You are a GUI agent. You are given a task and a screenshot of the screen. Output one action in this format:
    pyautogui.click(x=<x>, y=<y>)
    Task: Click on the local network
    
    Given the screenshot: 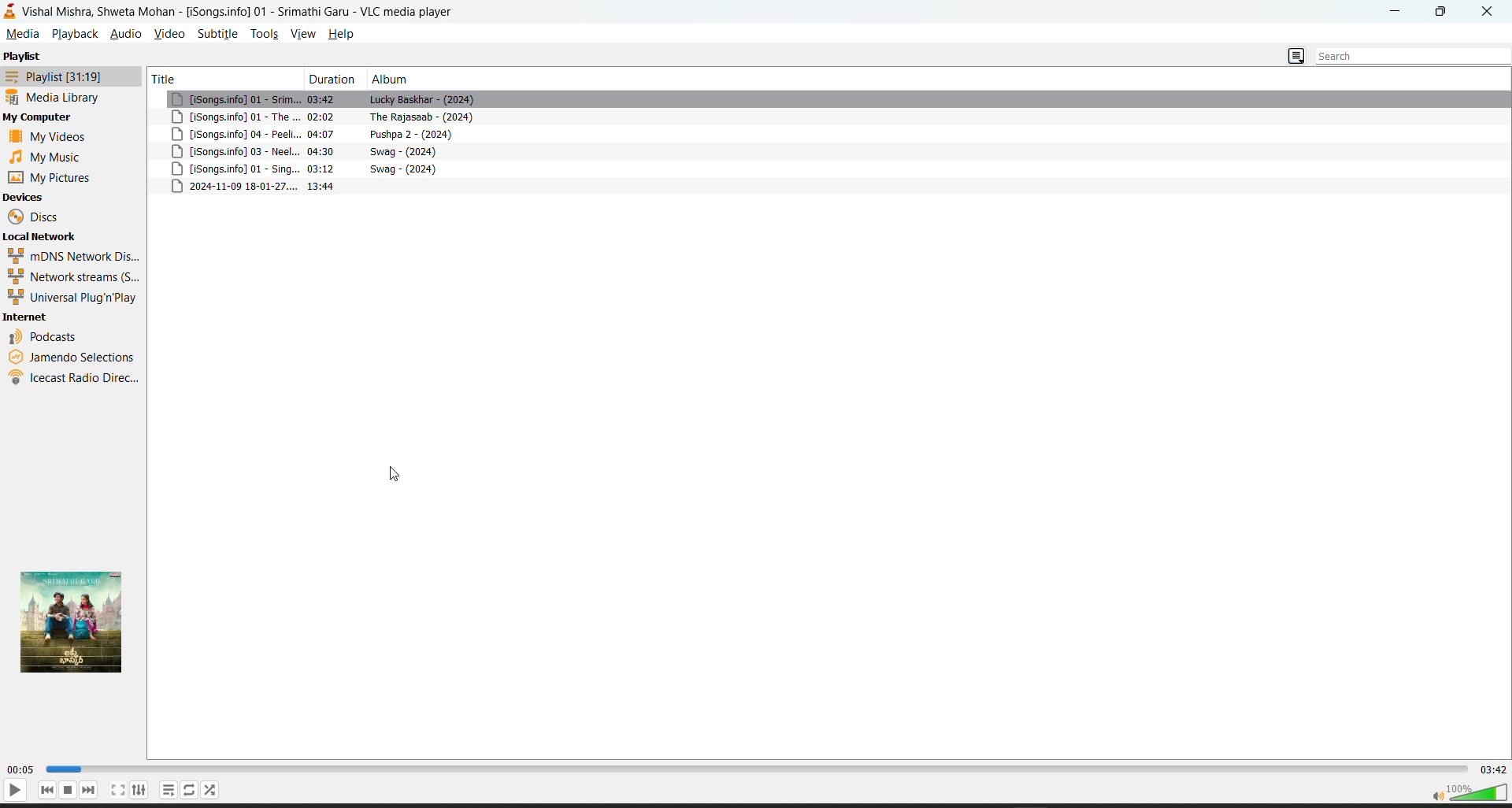 What is the action you would take?
    pyautogui.click(x=46, y=237)
    